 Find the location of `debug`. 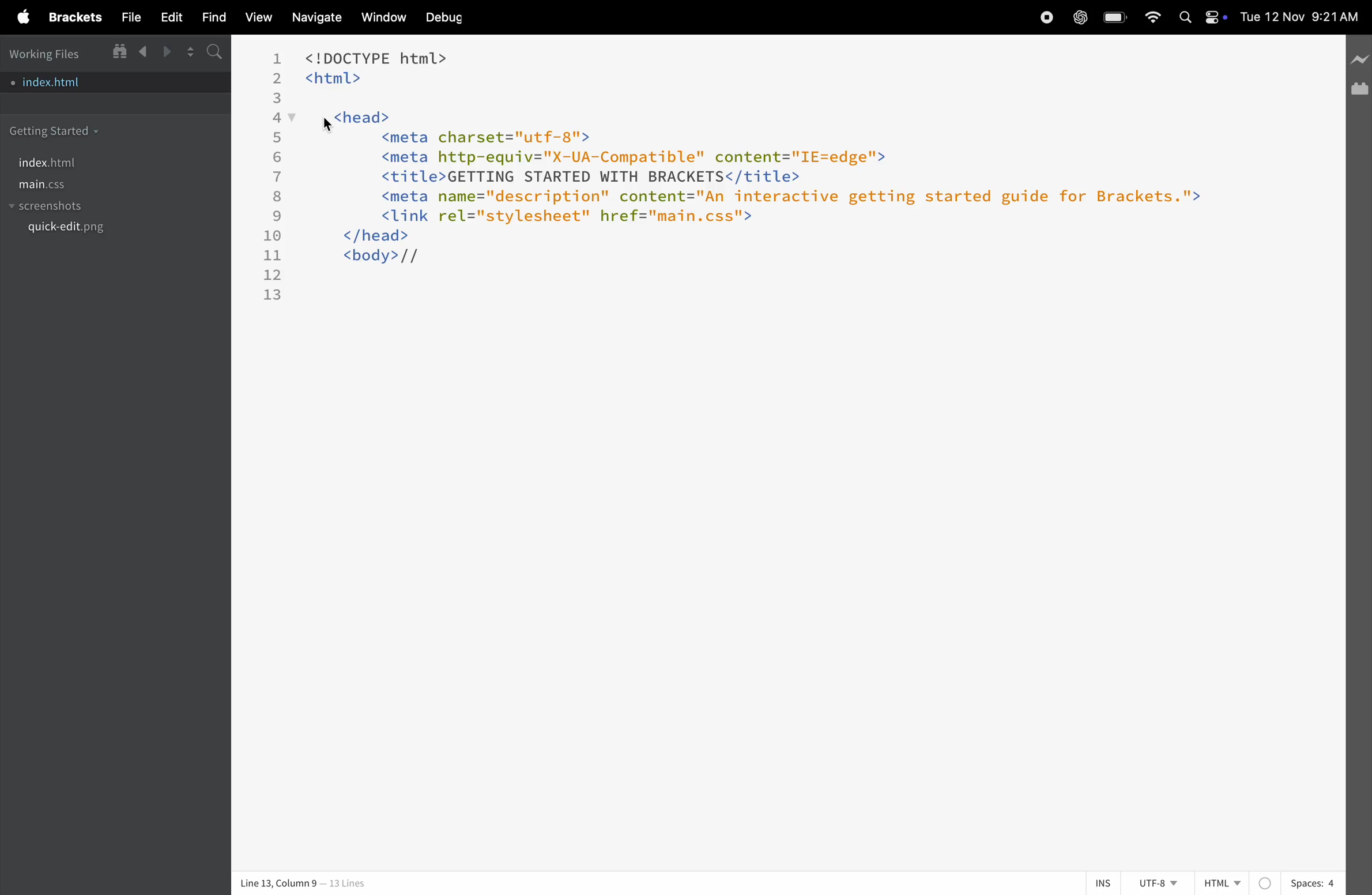

debug is located at coordinates (451, 16).